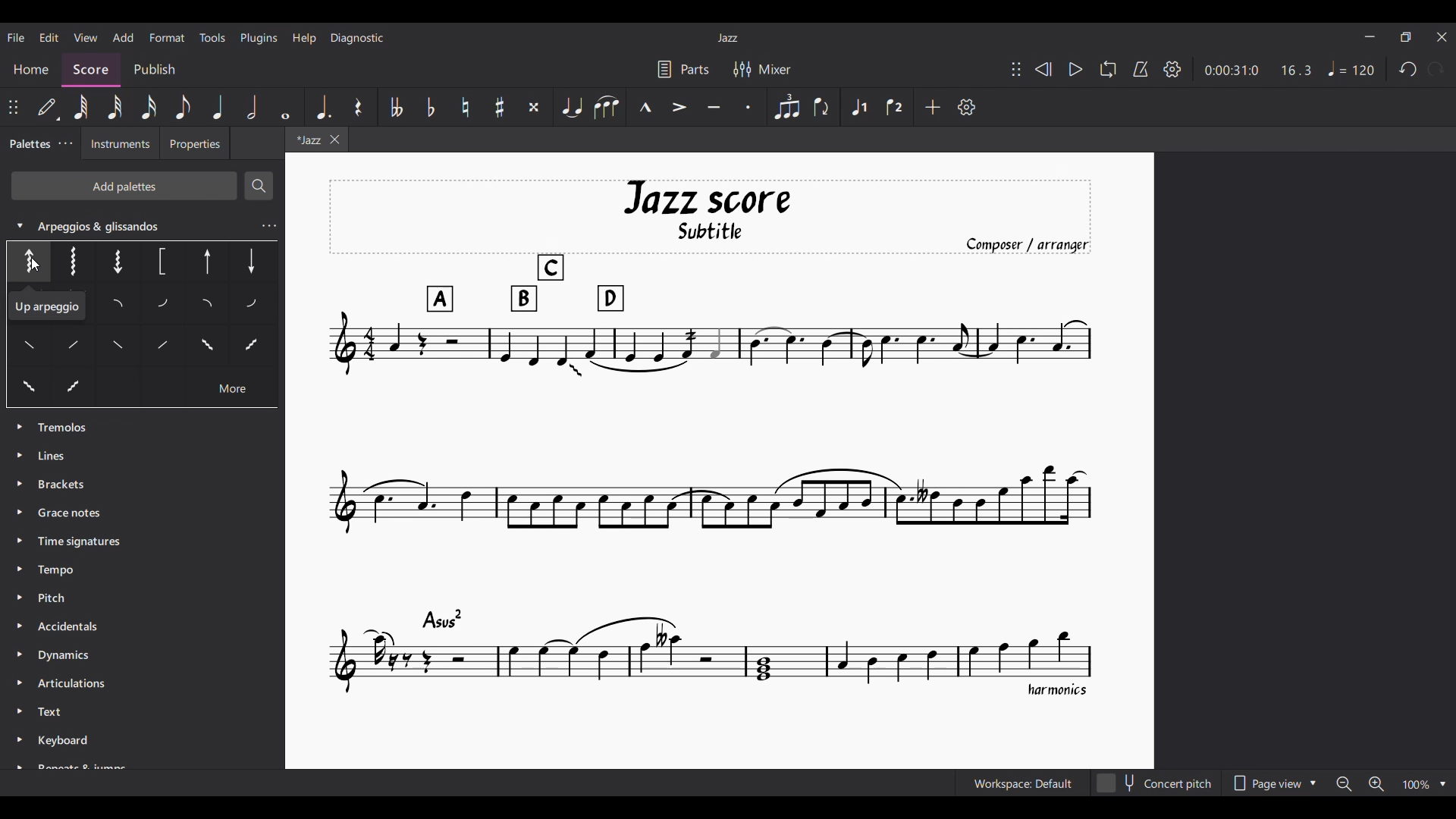 The width and height of the screenshot is (1456, 819). Describe the element at coordinates (786, 107) in the screenshot. I see `Tuplet` at that location.